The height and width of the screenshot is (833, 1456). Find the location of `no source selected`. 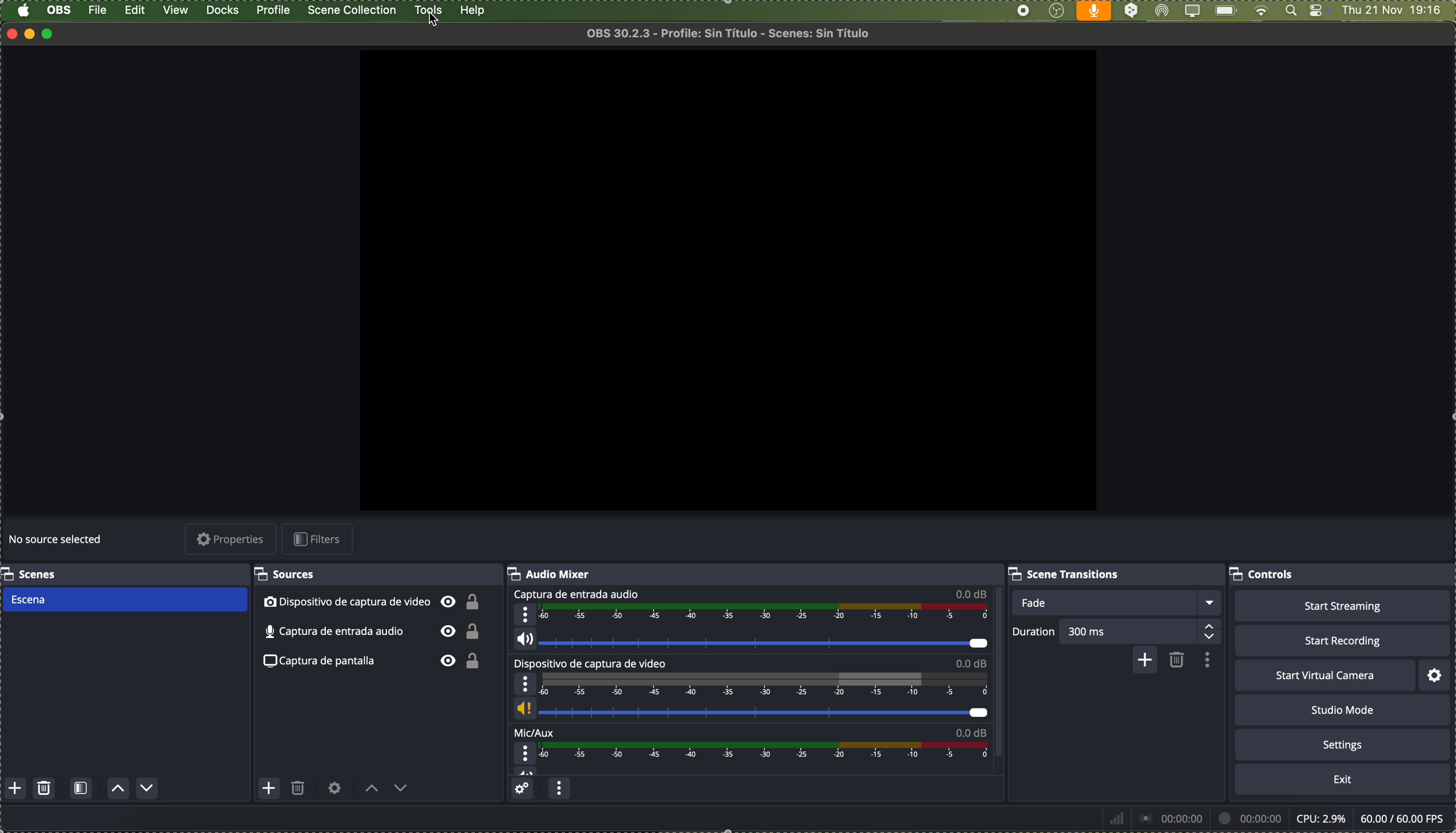

no source selected is located at coordinates (57, 541).